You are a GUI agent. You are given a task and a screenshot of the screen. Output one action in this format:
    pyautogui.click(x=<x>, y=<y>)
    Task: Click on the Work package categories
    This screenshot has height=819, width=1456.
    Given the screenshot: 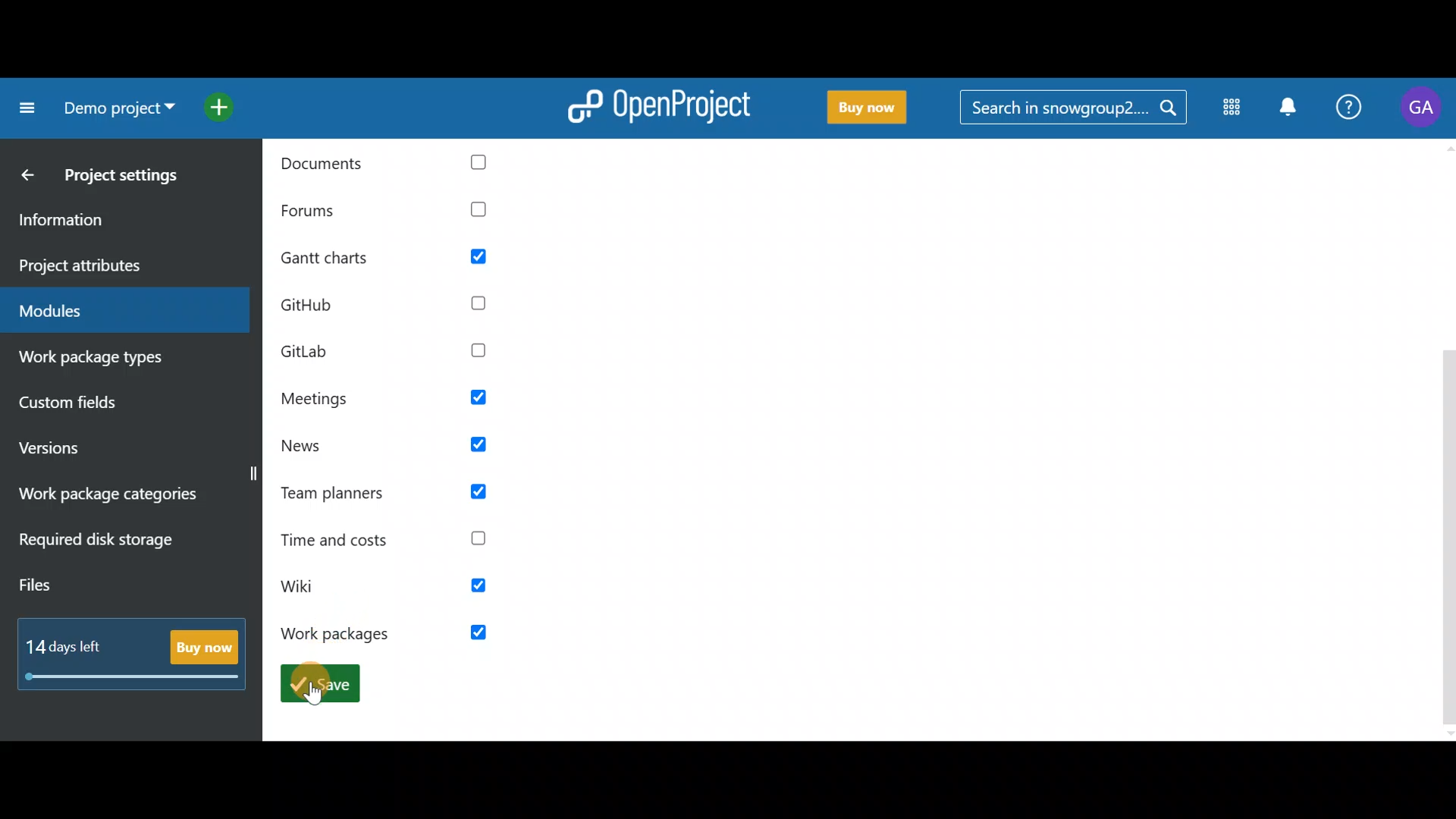 What is the action you would take?
    pyautogui.click(x=121, y=497)
    